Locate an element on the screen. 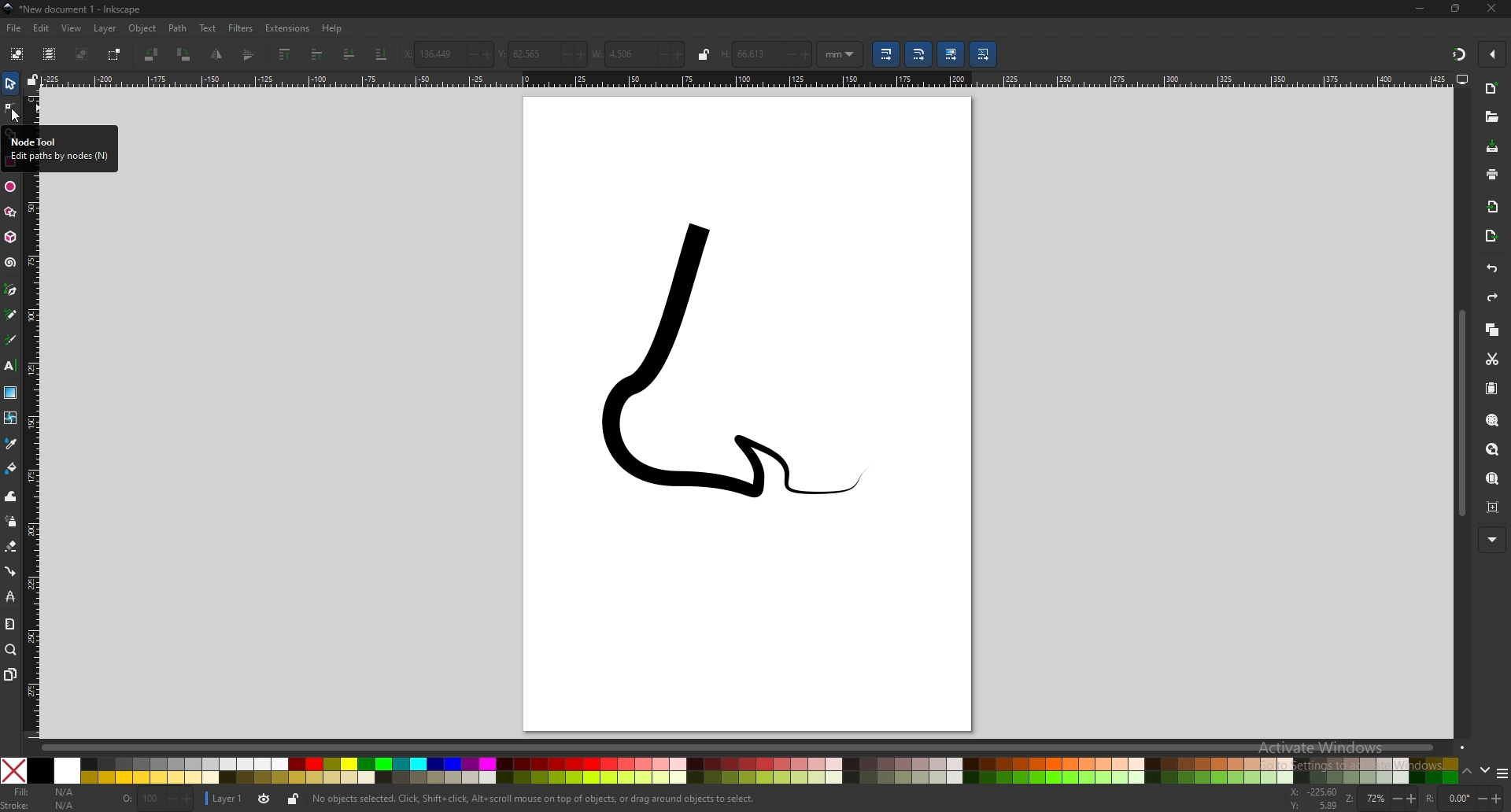 The width and height of the screenshot is (1511, 812). redo is located at coordinates (1490, 299).